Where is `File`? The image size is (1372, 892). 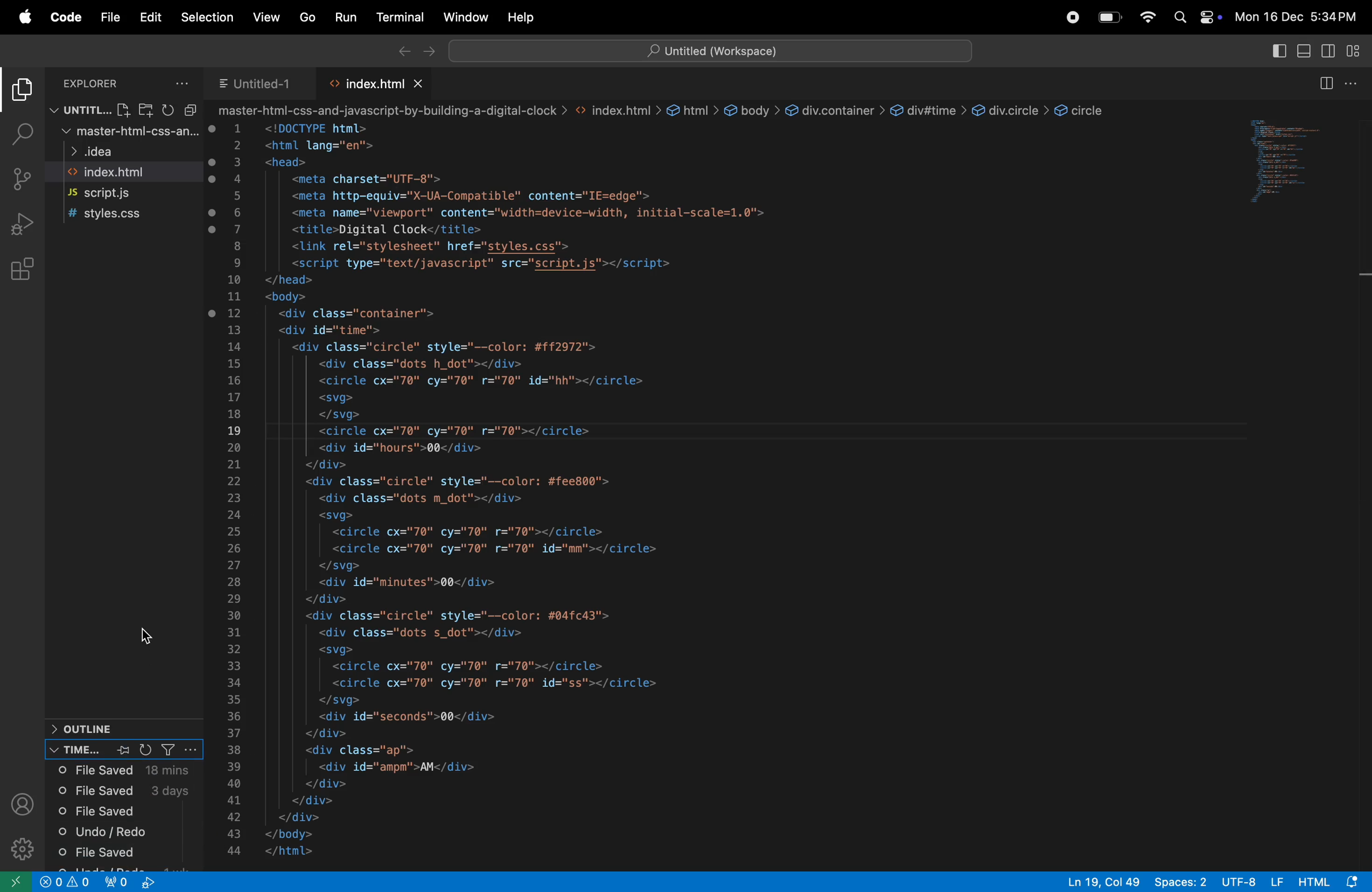 File is located at coordinates (107, 16).